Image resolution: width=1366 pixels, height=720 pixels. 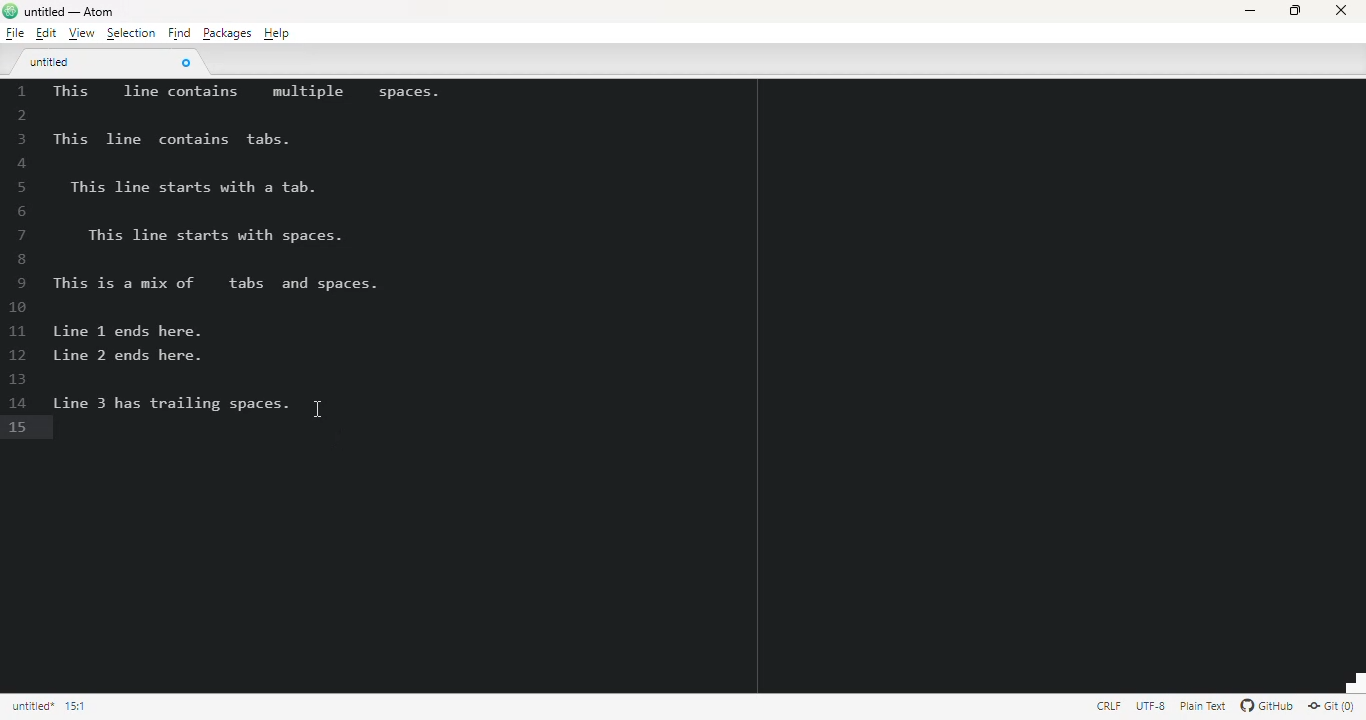 What do you see at coordinates (76, 705) in the screenshot?
I see `line 15, column 1` at bounding box center [76, 705].